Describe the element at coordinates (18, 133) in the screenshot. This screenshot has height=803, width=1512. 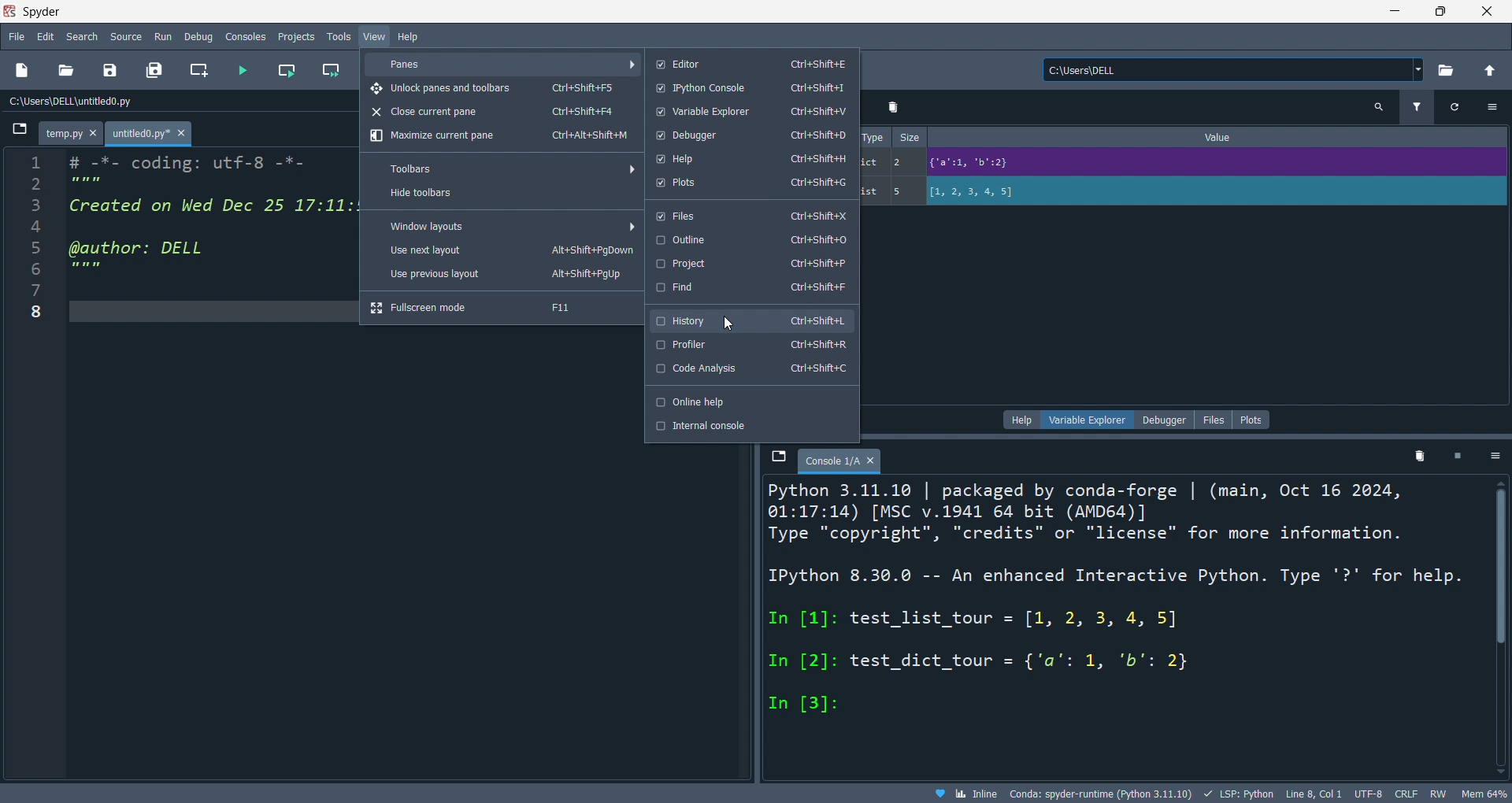
I see `browse tabs` at that location.